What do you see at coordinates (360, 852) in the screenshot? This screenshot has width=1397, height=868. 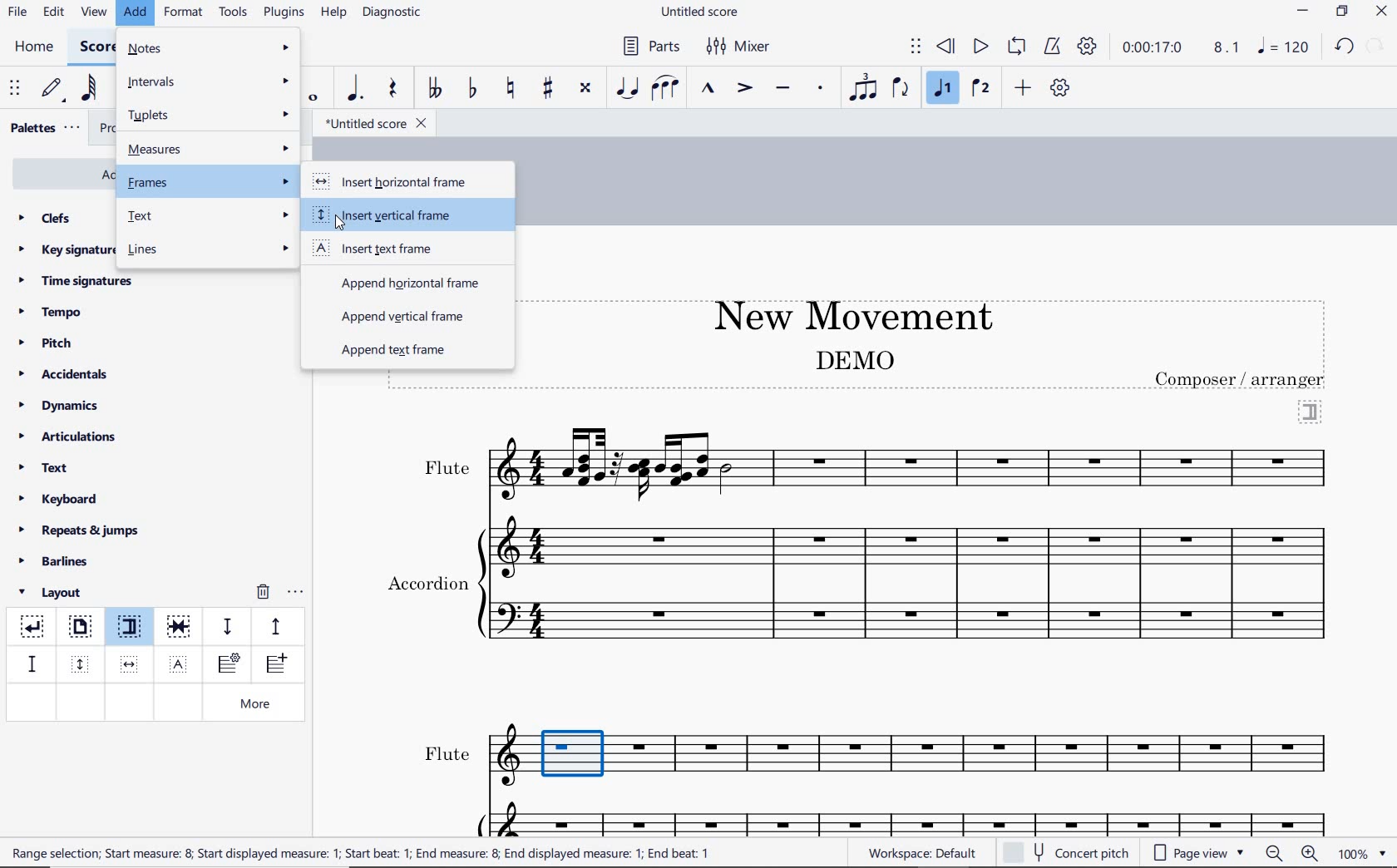 I see `text` at bounding box center [360, 852].